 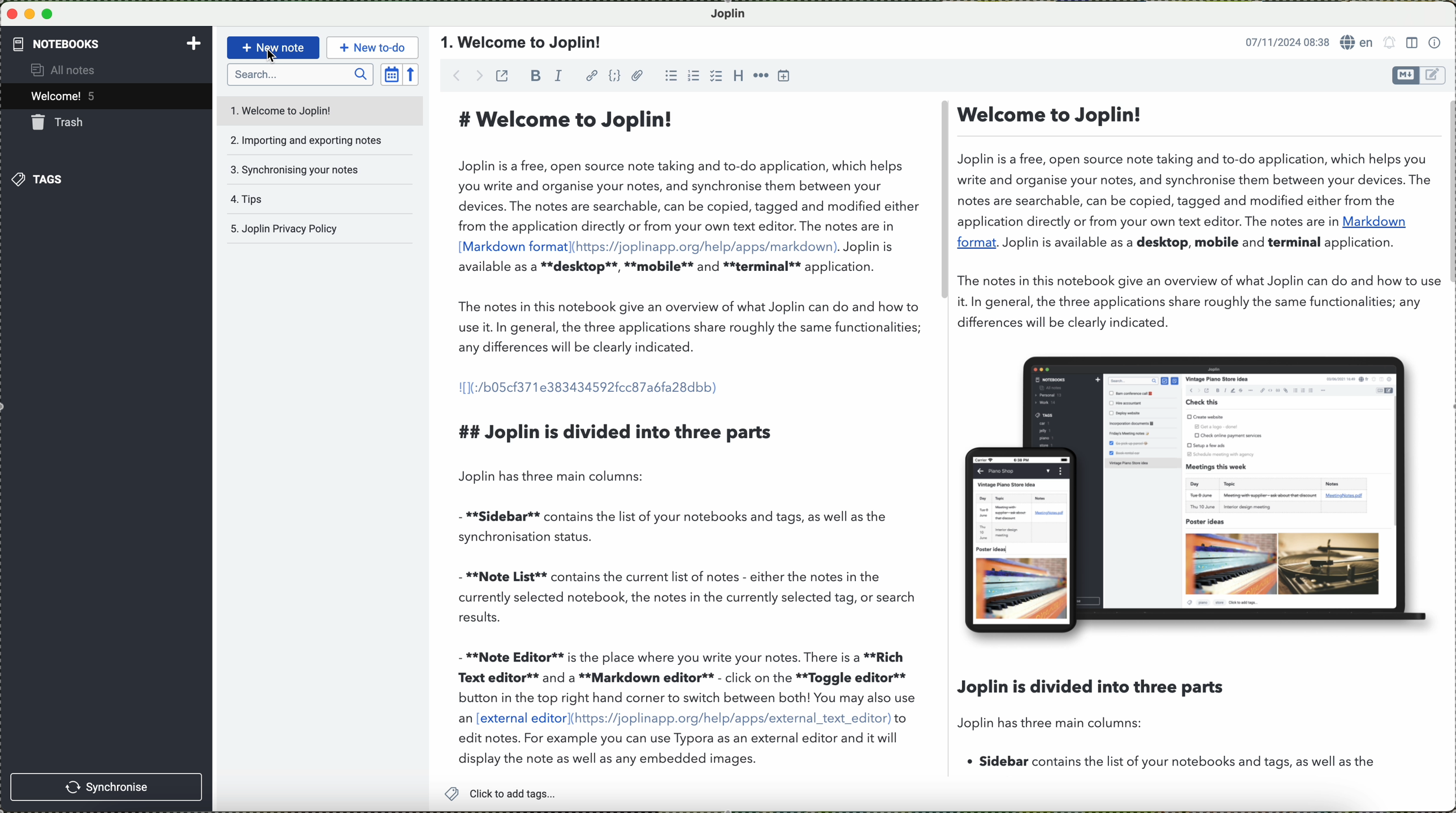 What do you see at coordinates (107, 44) in the screenshot?
I see `notebooks tab` at bounding box center [107, 44].